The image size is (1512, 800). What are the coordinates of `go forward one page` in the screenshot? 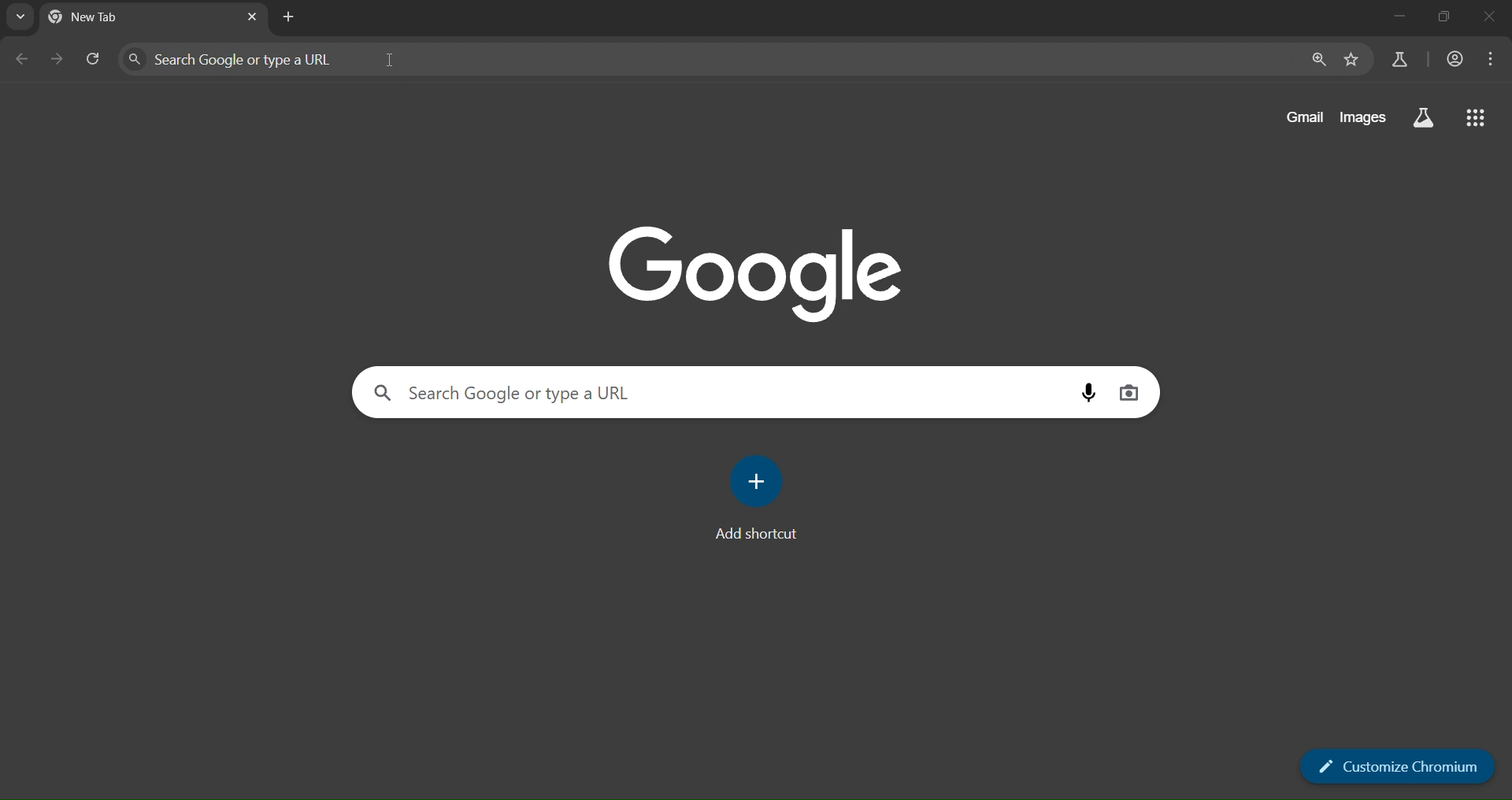 It's located at (57, 61).